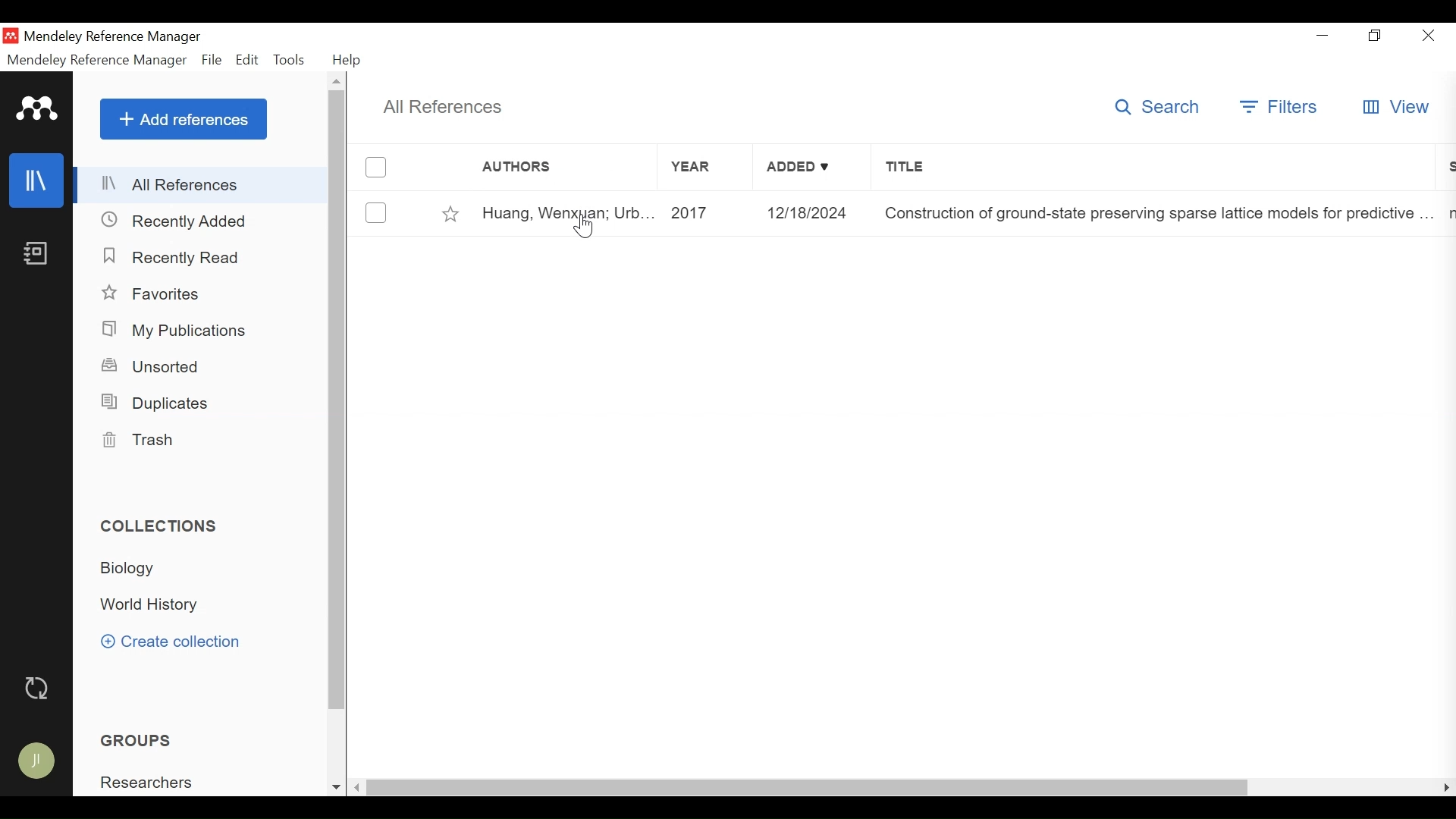  I want to click on Library, so click(39, 180).